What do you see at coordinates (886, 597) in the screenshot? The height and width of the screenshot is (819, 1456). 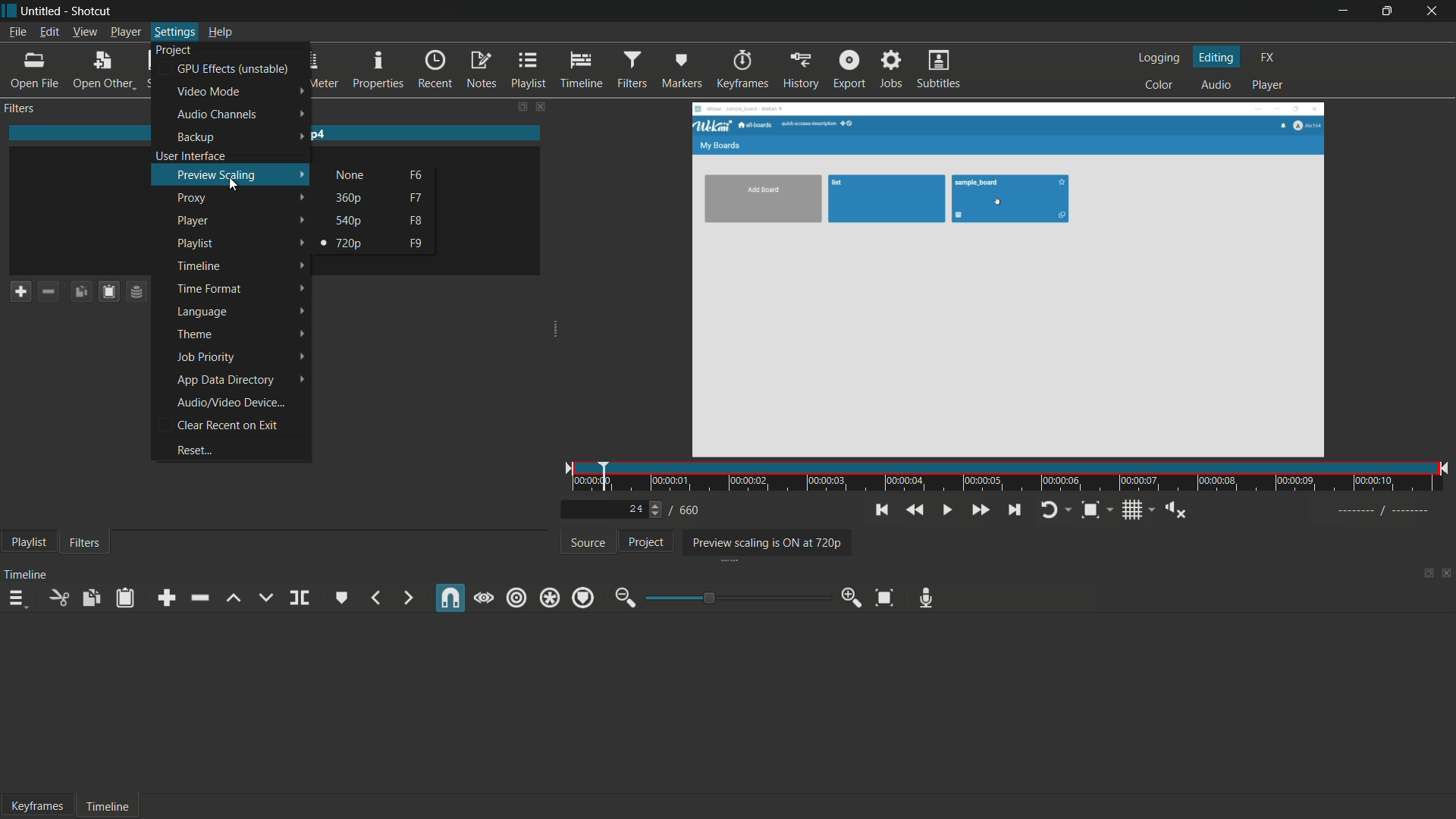 I see `zoom timeline to fit` at bounding box center [886, 597].